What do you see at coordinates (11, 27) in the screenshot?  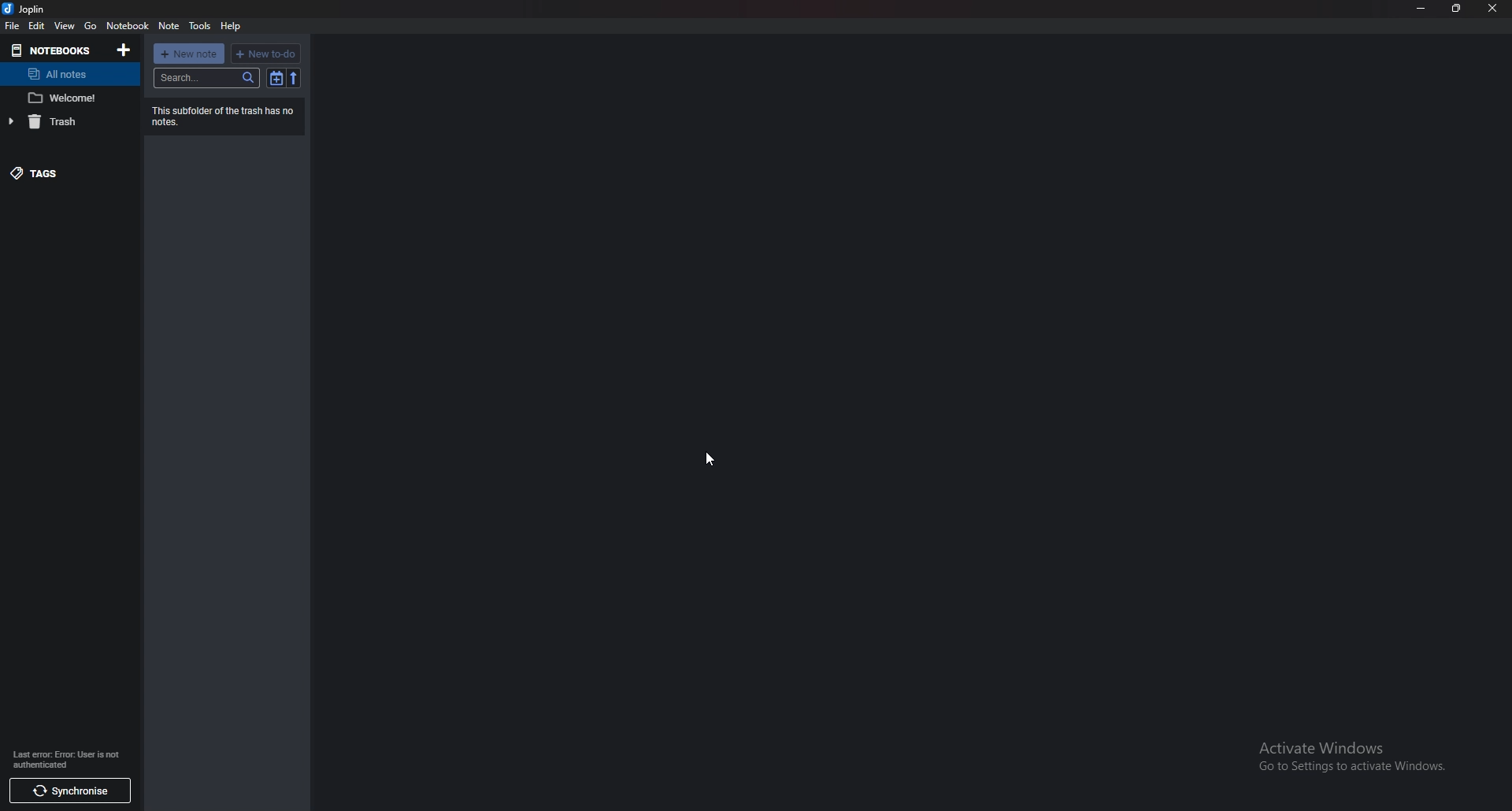 I see `file` at bounding box center [11, 27].